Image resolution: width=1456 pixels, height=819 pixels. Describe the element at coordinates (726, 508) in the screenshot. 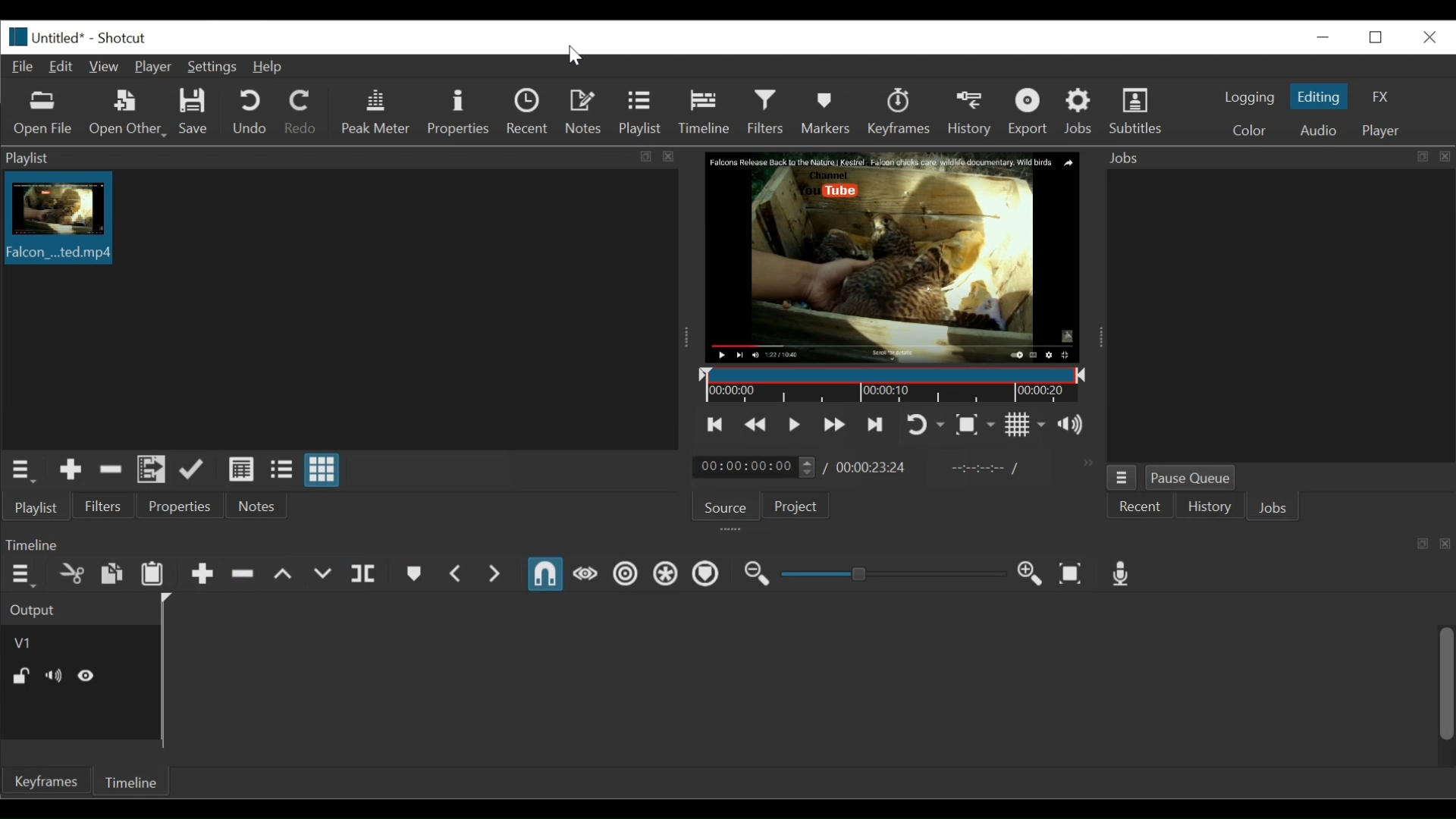

I see `Source` at that location.